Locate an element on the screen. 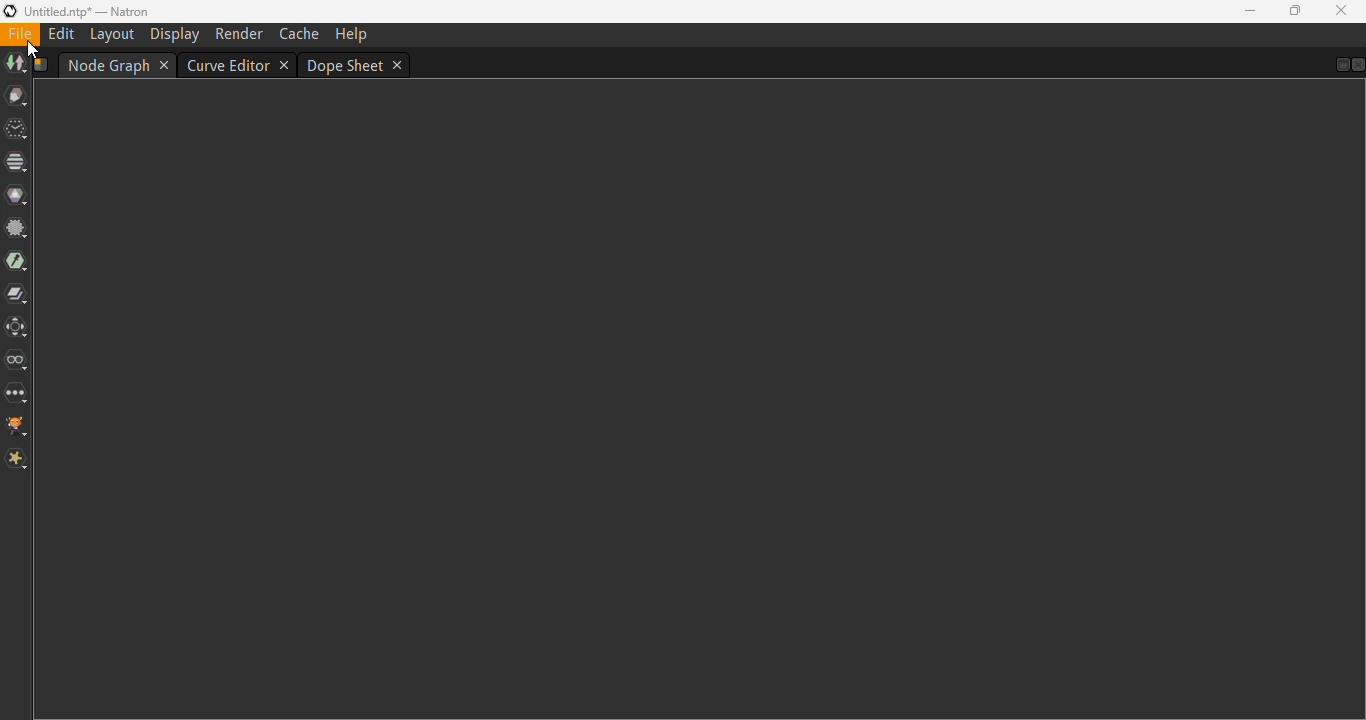 The image size is (1366, 720). transform is located at coordinates (18, 326).